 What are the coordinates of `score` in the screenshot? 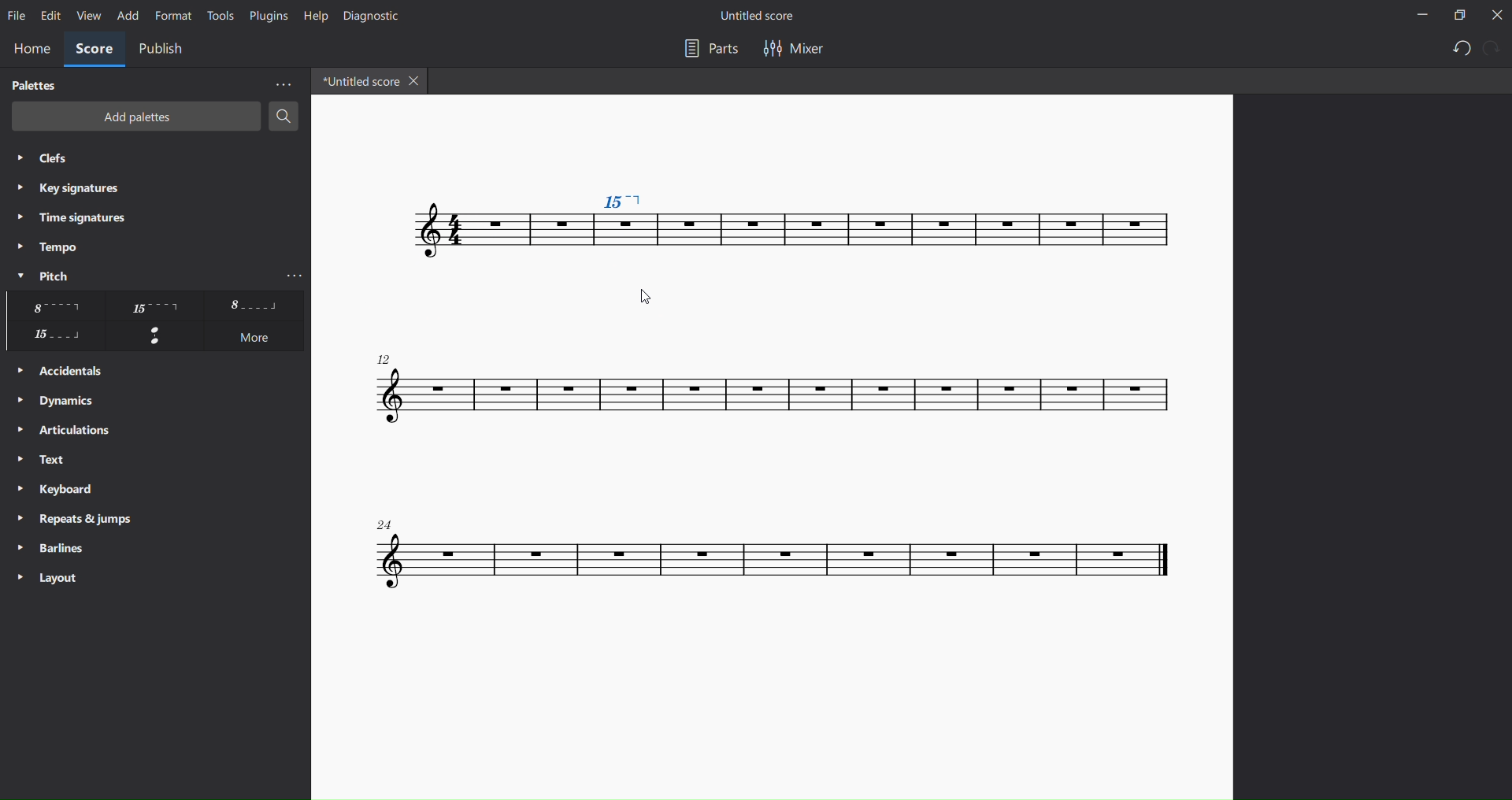 It's located at (762, 397).